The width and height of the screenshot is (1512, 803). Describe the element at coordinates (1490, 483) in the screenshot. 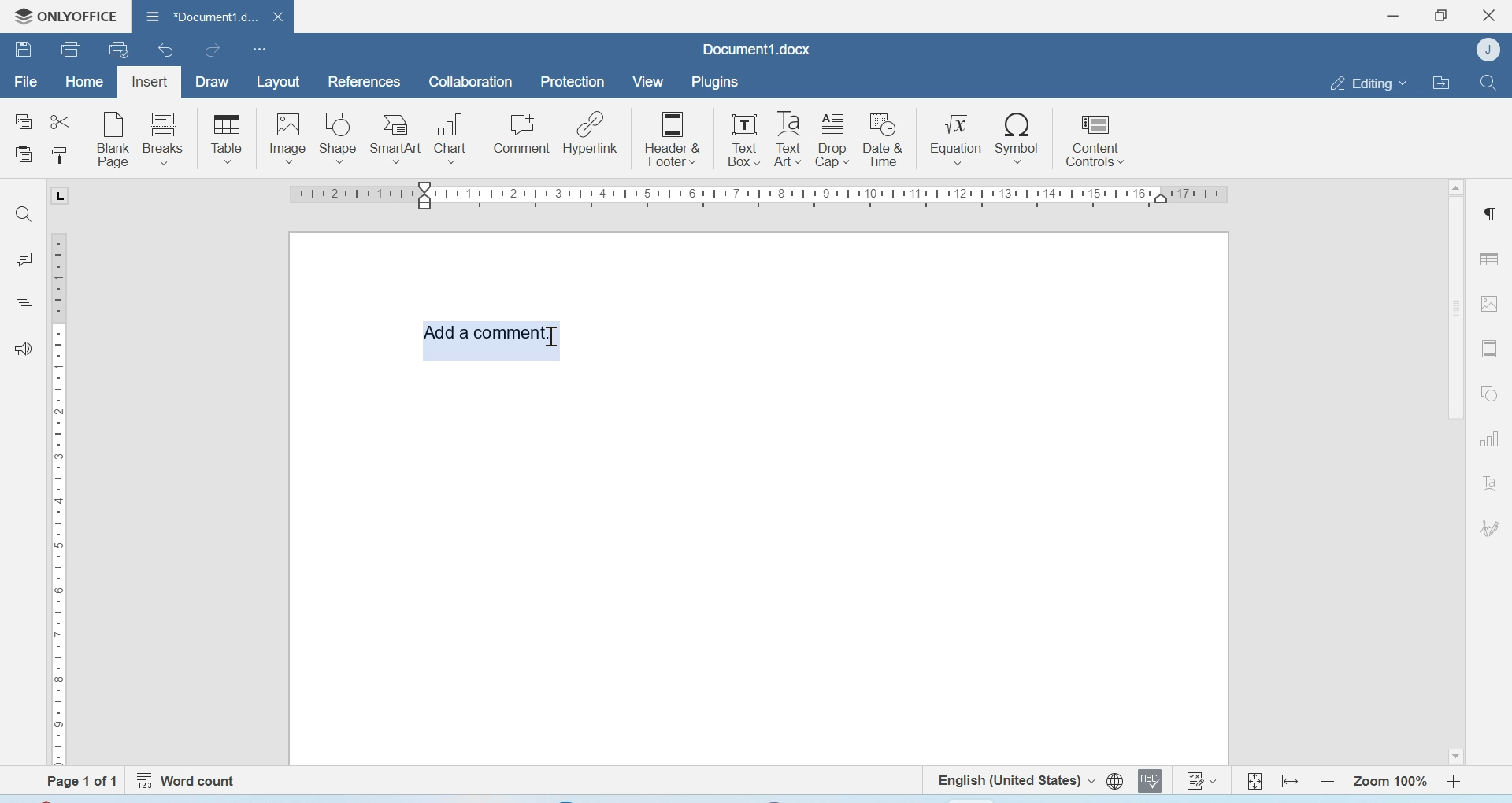

I see `Text` at that location.